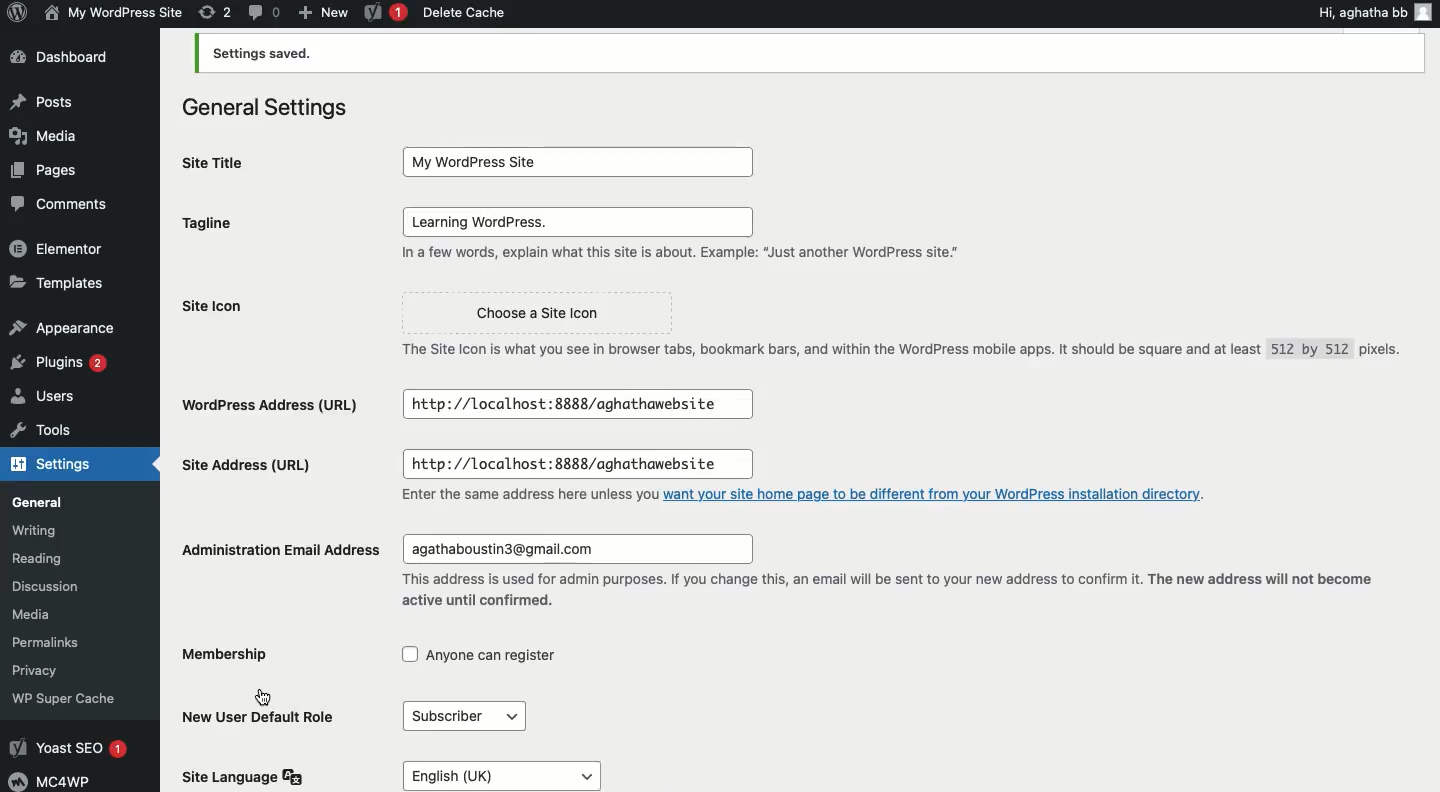  What do you see at coordinates (263, 12) in the screenshot?
I see `(0) Comment` at bounding box center [263, 12].